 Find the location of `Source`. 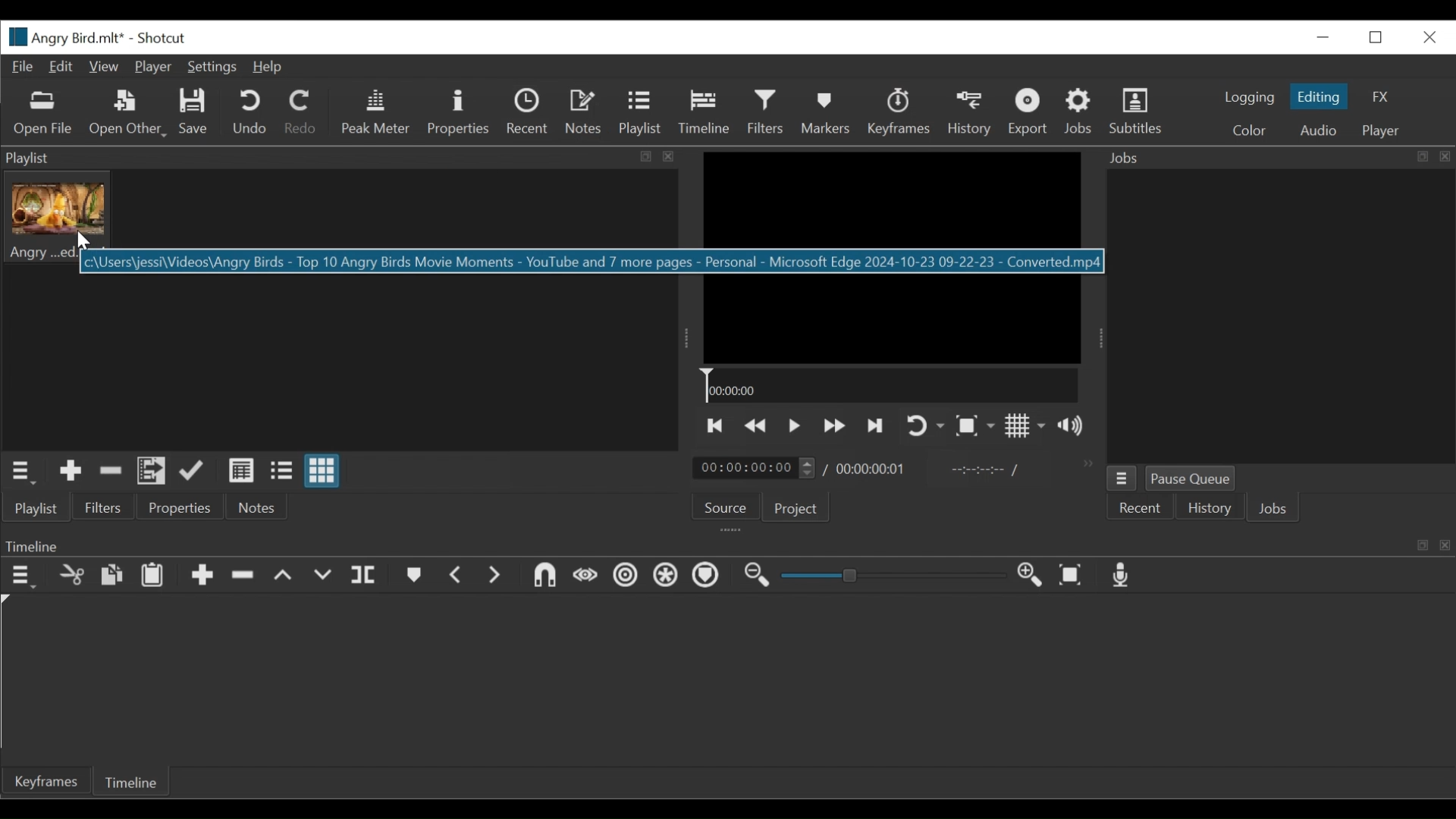

Source is located at coordinates (725, 507).